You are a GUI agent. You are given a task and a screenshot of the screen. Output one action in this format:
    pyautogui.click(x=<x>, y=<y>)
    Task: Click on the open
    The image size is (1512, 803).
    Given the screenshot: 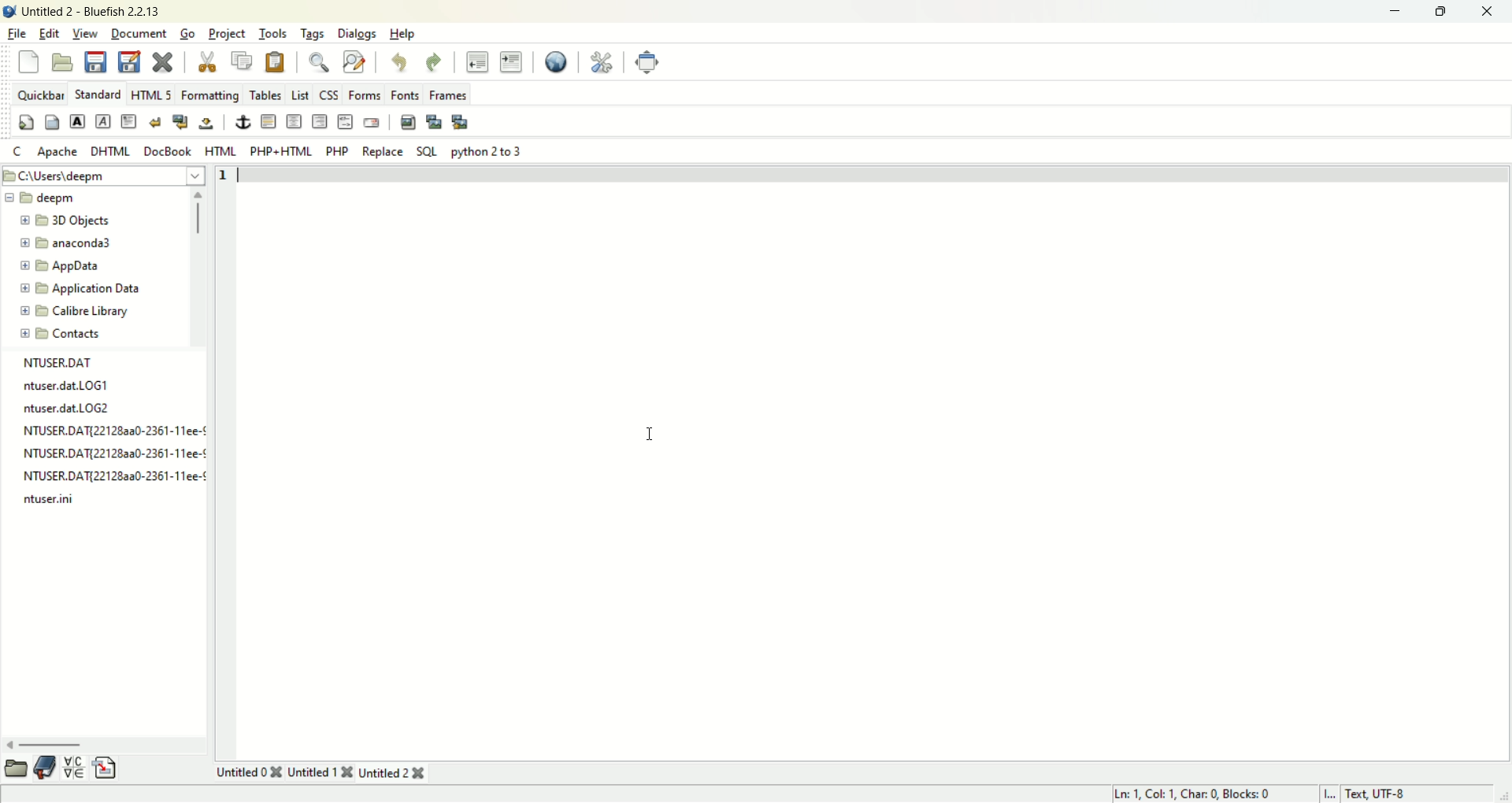 What is the action you would take?
    pyautogui.click(x=14, y=768)
    